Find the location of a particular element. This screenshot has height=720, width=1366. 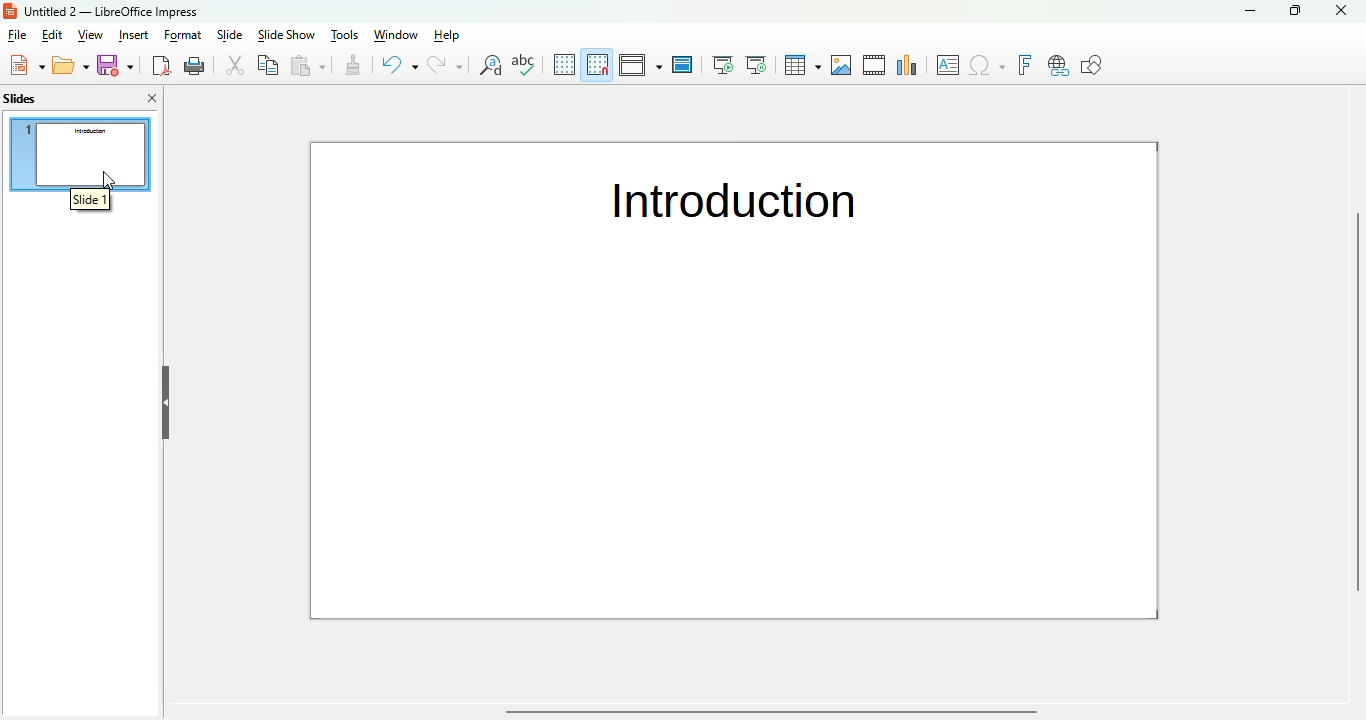

table is located at coordinates (802, 65).